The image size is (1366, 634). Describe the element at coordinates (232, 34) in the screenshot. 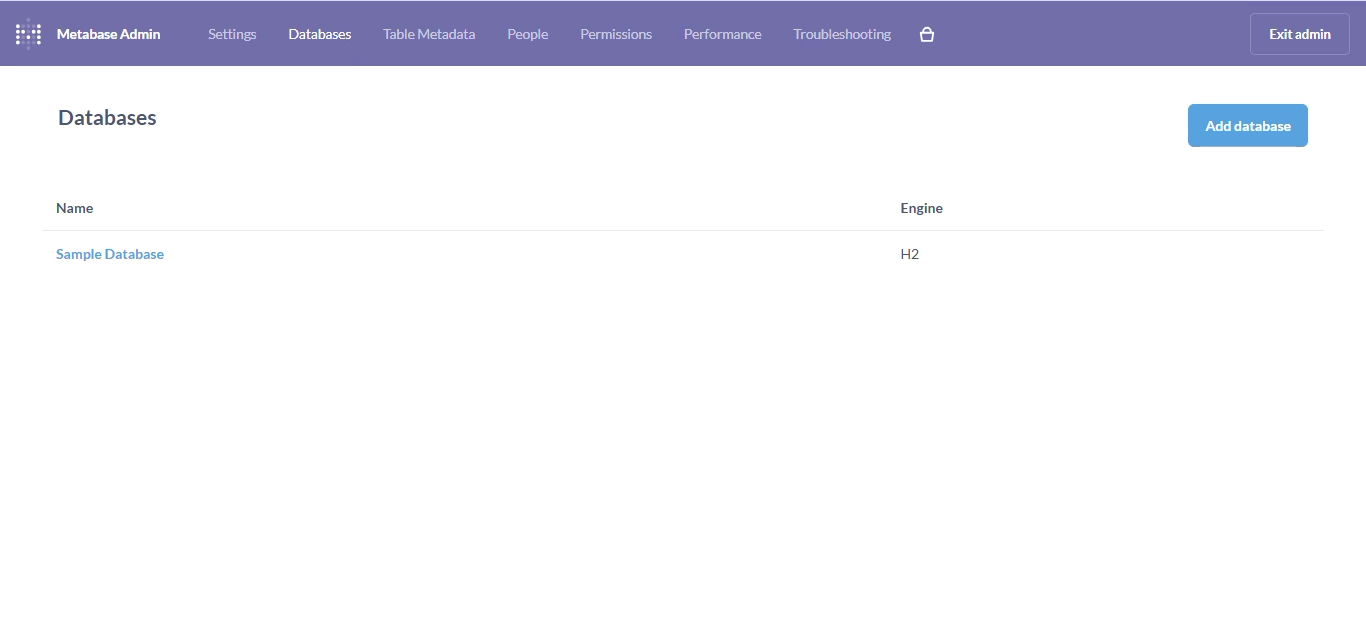

I see `settings` at that location.